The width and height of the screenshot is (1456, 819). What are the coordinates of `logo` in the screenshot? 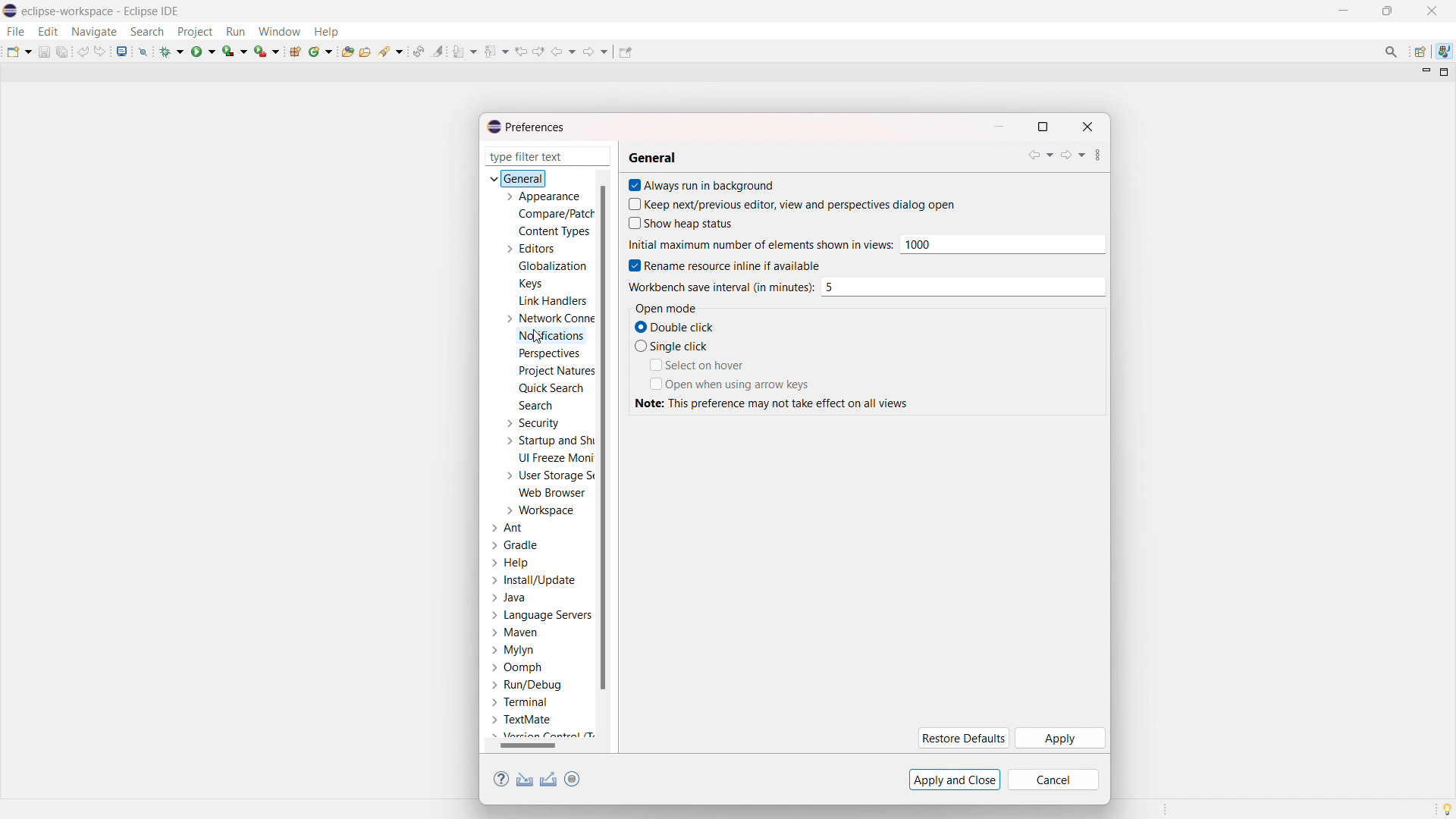 It's located at (11, 11).